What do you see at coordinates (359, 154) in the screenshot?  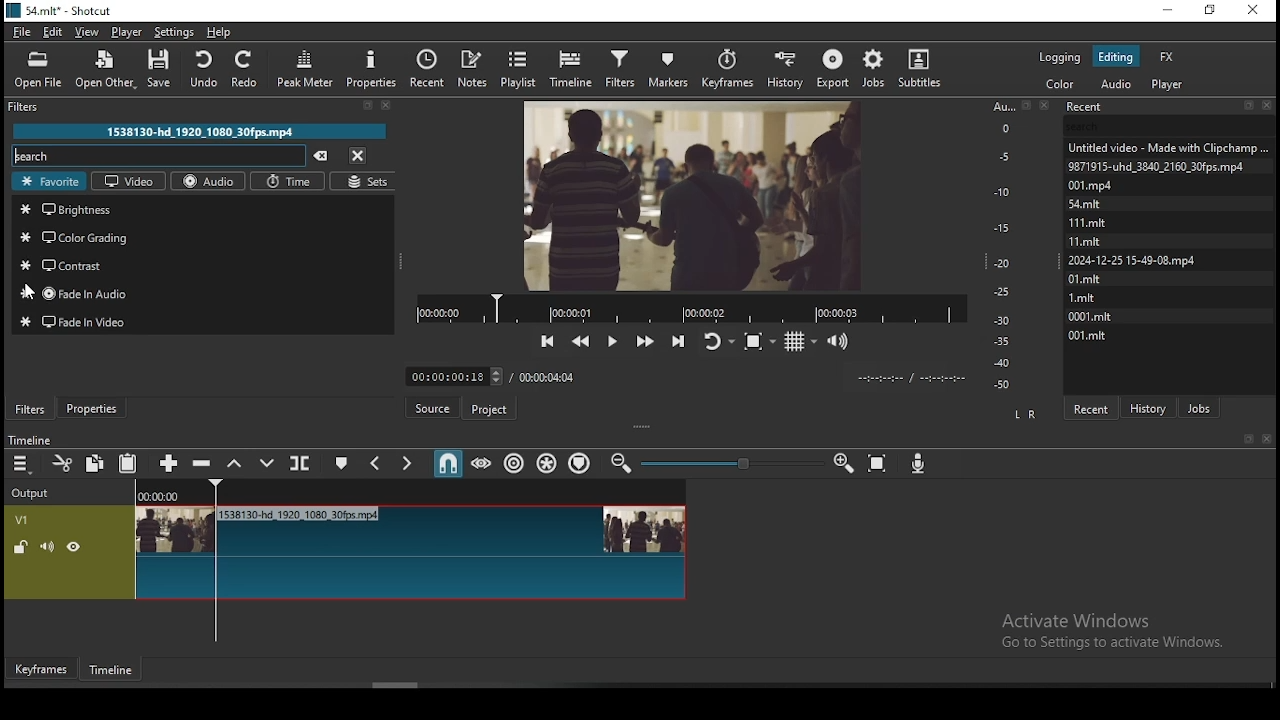 I see `close menu` at bounding box center [359, 154].